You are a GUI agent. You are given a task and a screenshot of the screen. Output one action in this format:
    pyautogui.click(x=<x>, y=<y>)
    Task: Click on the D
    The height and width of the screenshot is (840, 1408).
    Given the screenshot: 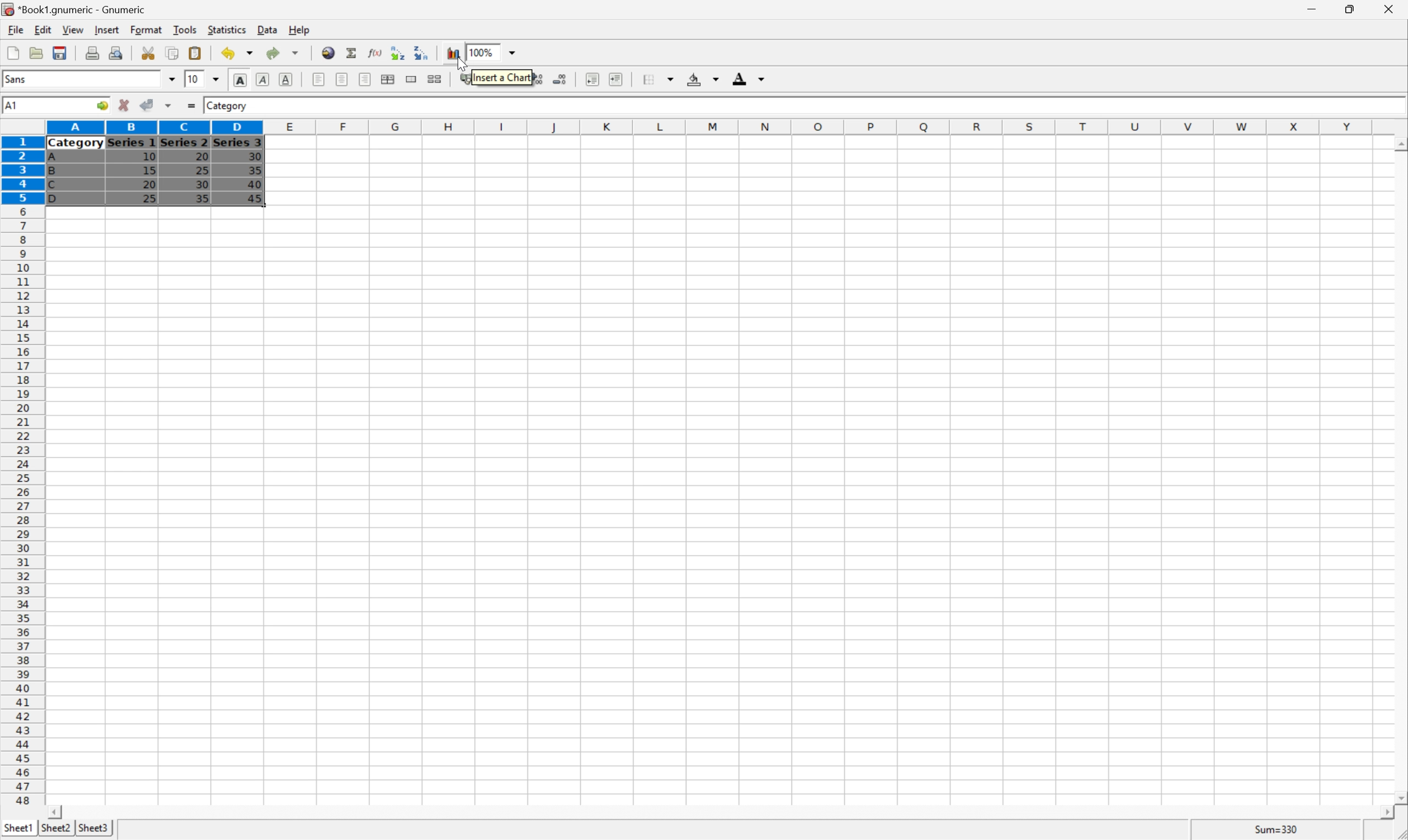 What is the action you would take?
    pyautogui.click(x=58, y=199)
    